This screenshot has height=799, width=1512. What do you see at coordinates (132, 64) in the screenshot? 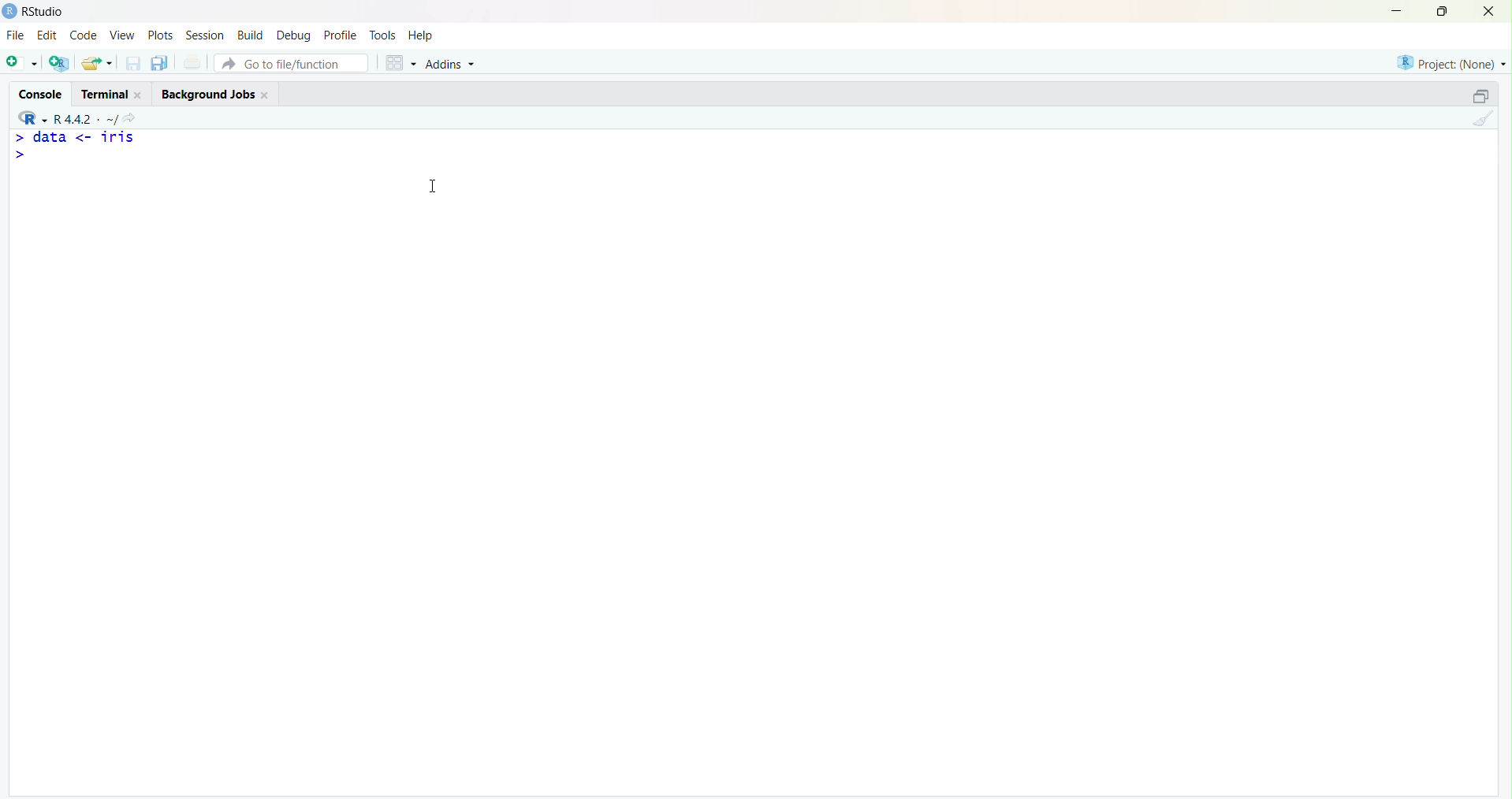
I see `Save current document (Ctrl + S)` at bounding box center [132, 64].